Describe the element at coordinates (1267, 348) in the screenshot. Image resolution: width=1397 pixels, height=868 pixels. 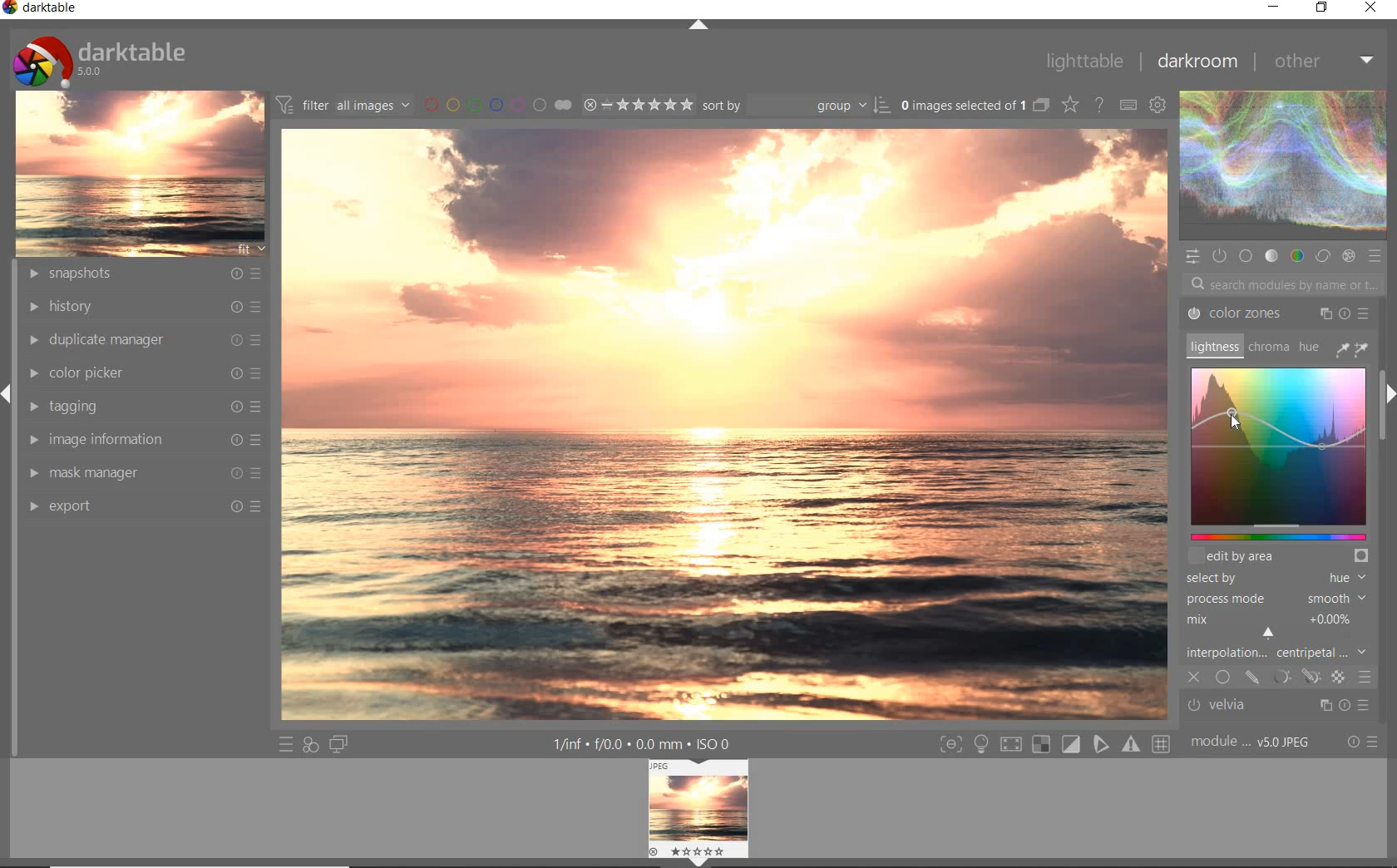
I see `CHROMA` at that location.